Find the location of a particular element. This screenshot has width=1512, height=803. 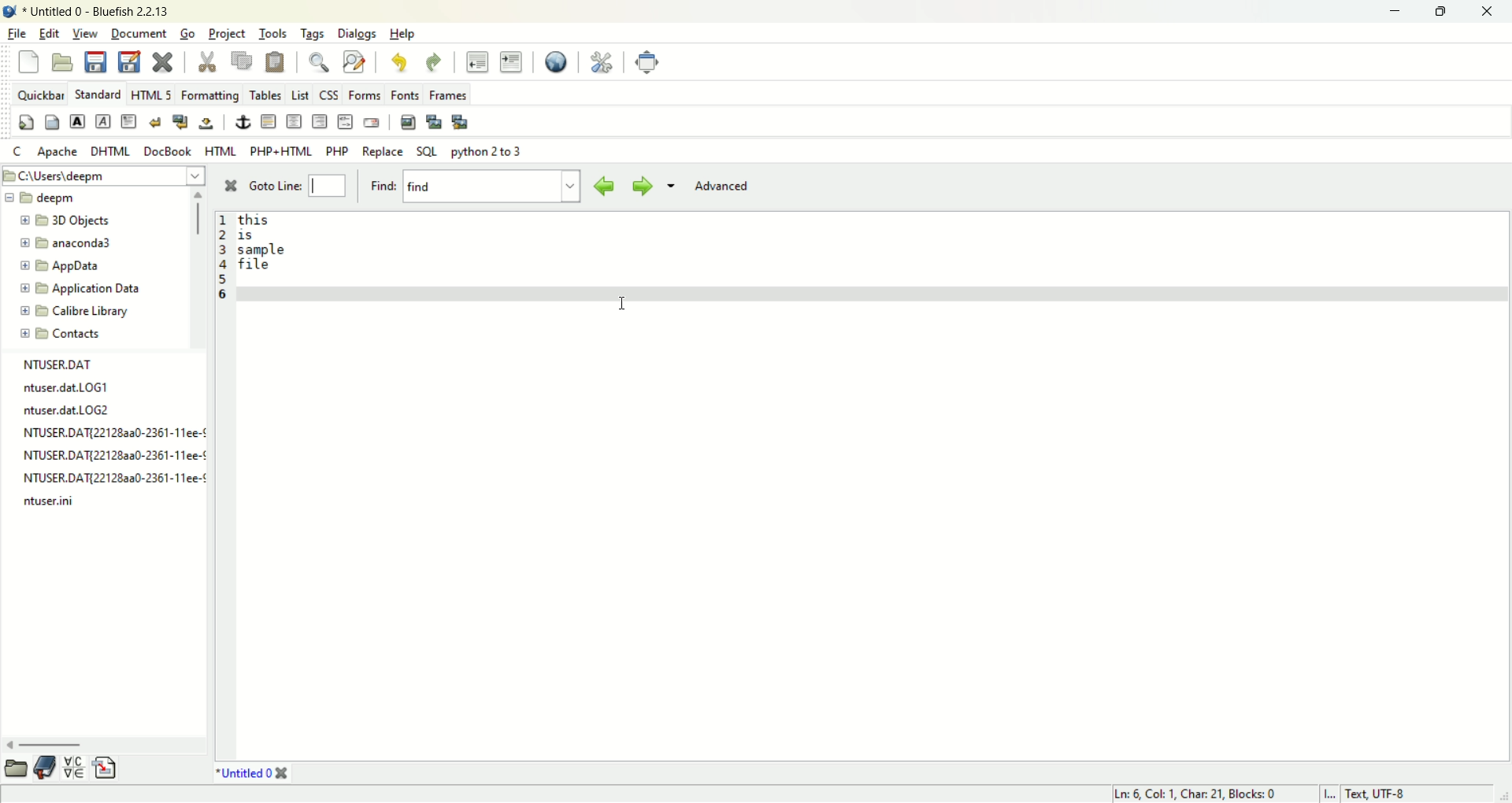

close is located at coordinates (230, 183).